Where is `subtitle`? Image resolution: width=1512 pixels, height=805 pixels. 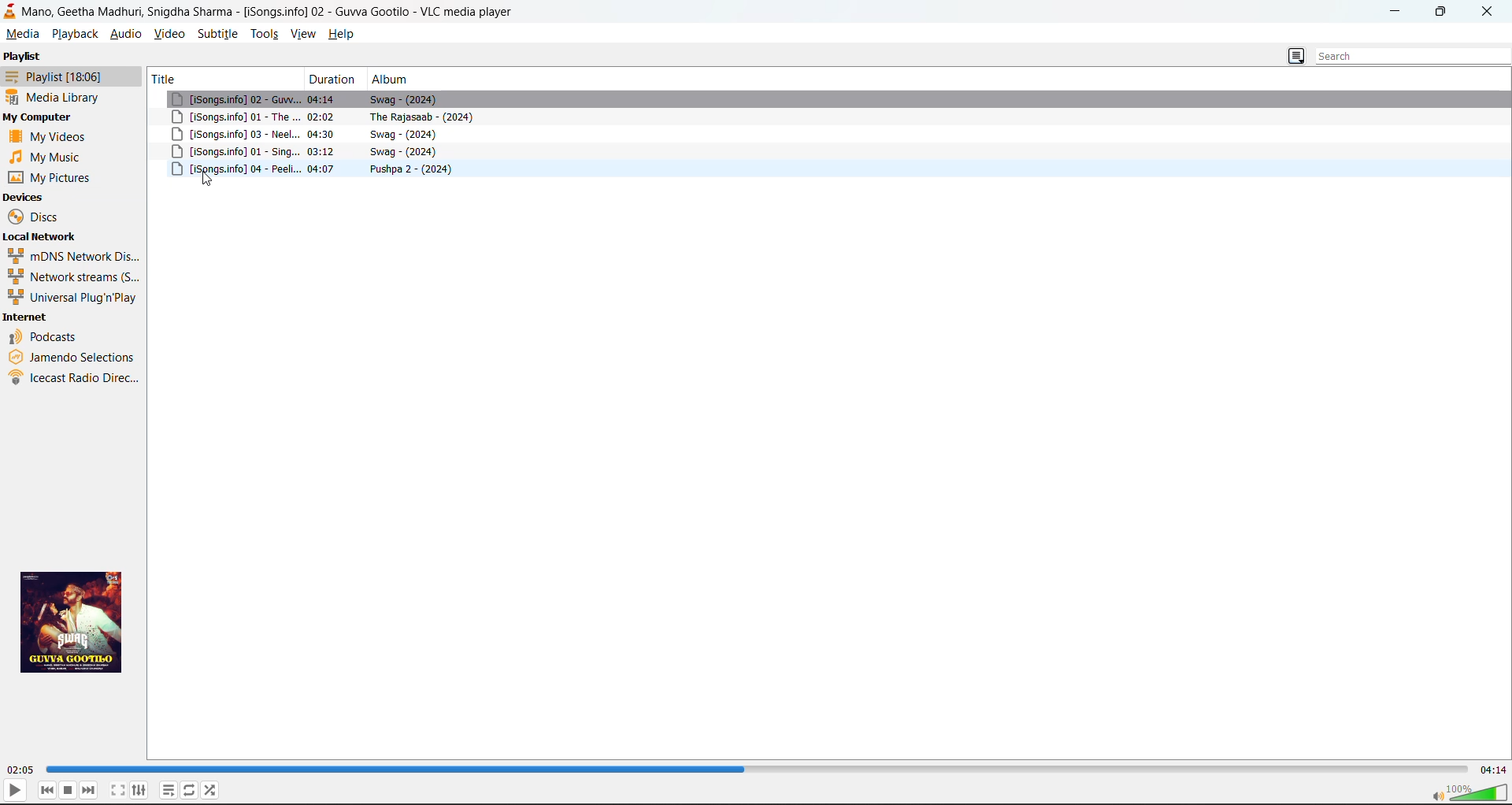
subtitle is located at coordinates (216, 33).